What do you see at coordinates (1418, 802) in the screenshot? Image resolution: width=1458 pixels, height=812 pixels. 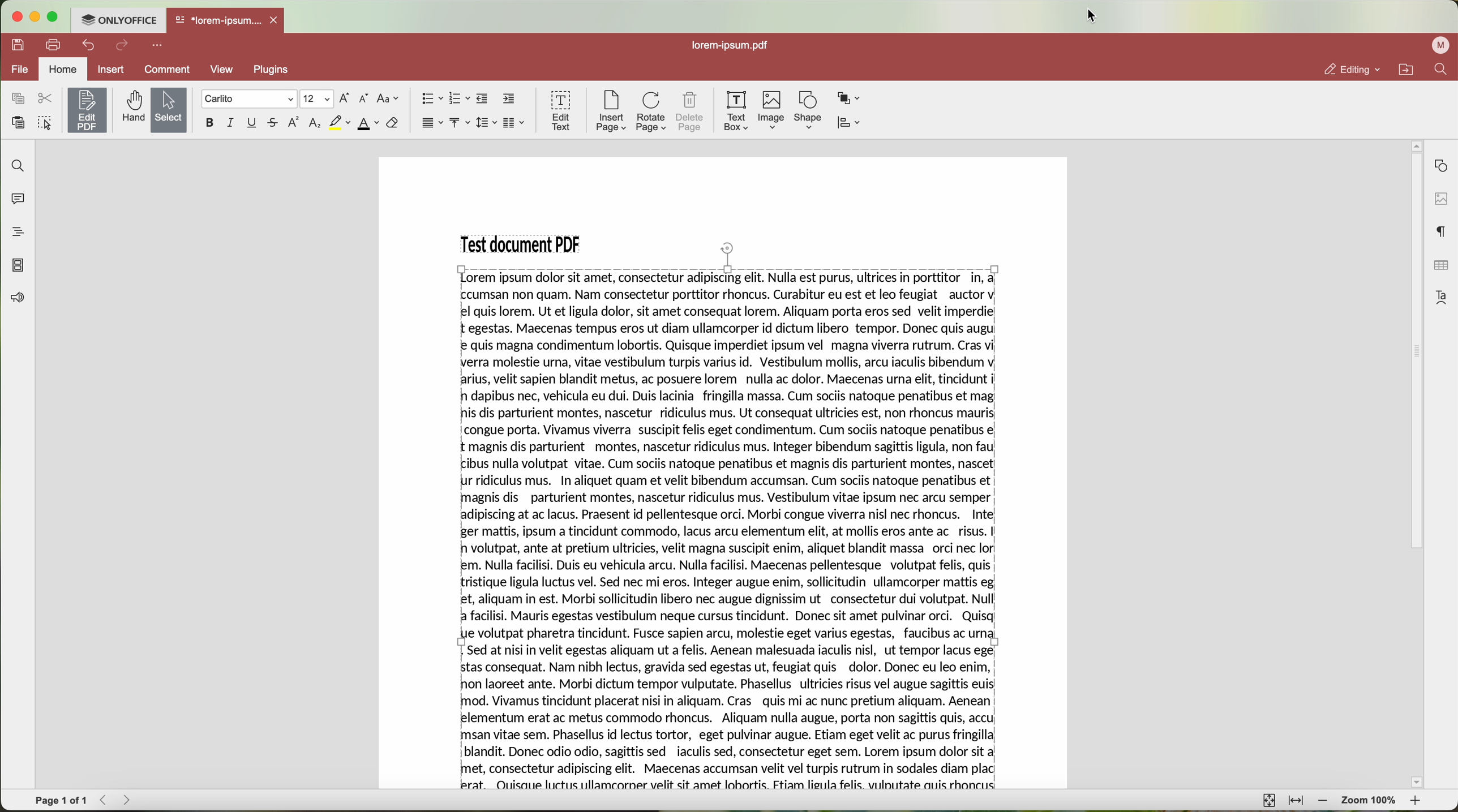 I see `zoom in` at bounding box center [1418, 802].